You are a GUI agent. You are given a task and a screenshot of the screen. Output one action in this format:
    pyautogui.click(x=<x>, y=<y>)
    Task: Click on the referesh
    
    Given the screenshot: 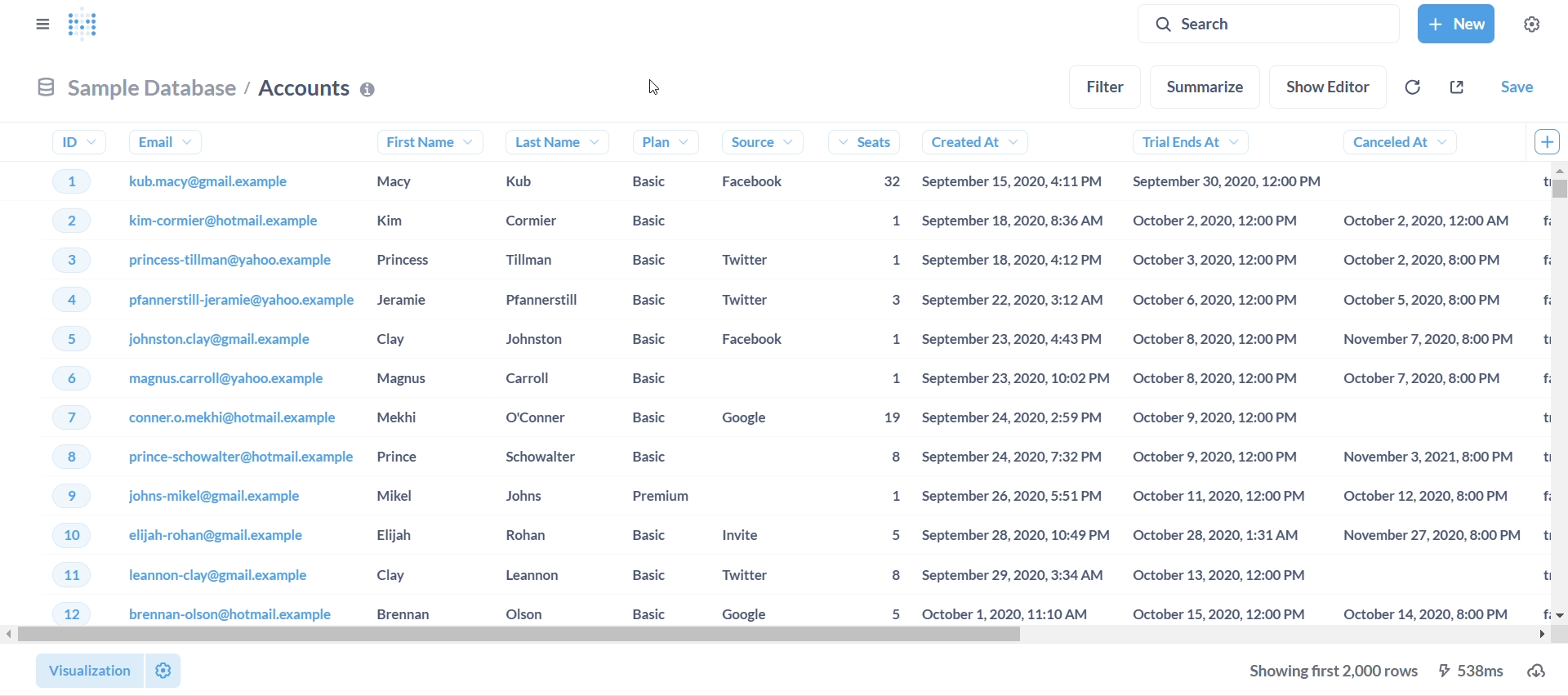 What is the action you would take?
    pyautogui.click(x=1412, y=86)
    